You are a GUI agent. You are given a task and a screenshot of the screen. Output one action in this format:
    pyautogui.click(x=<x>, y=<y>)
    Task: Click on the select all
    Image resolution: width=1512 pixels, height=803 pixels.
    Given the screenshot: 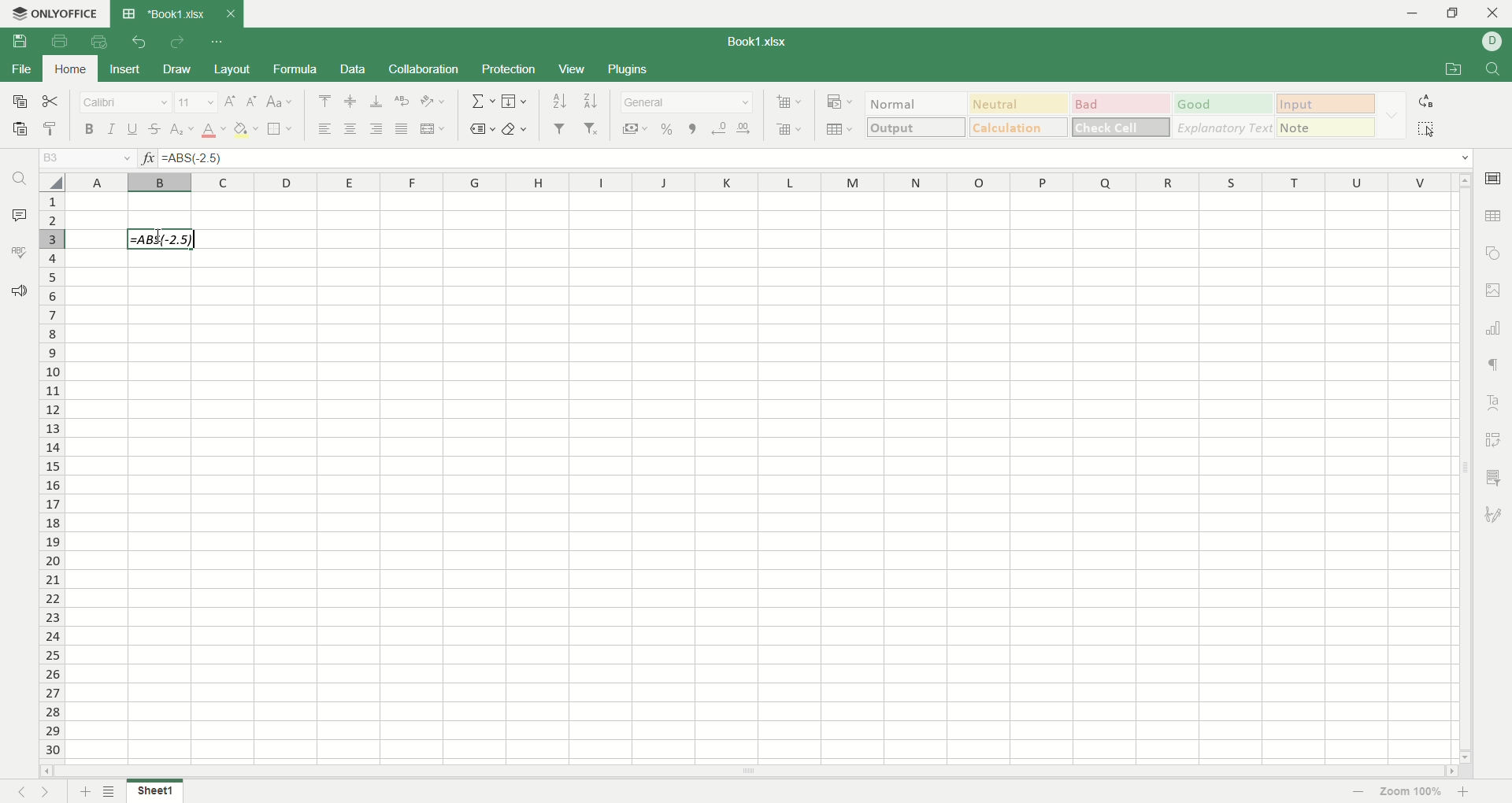 What is the action you would take?
    pyautogui.click(x=52, y=182)
    